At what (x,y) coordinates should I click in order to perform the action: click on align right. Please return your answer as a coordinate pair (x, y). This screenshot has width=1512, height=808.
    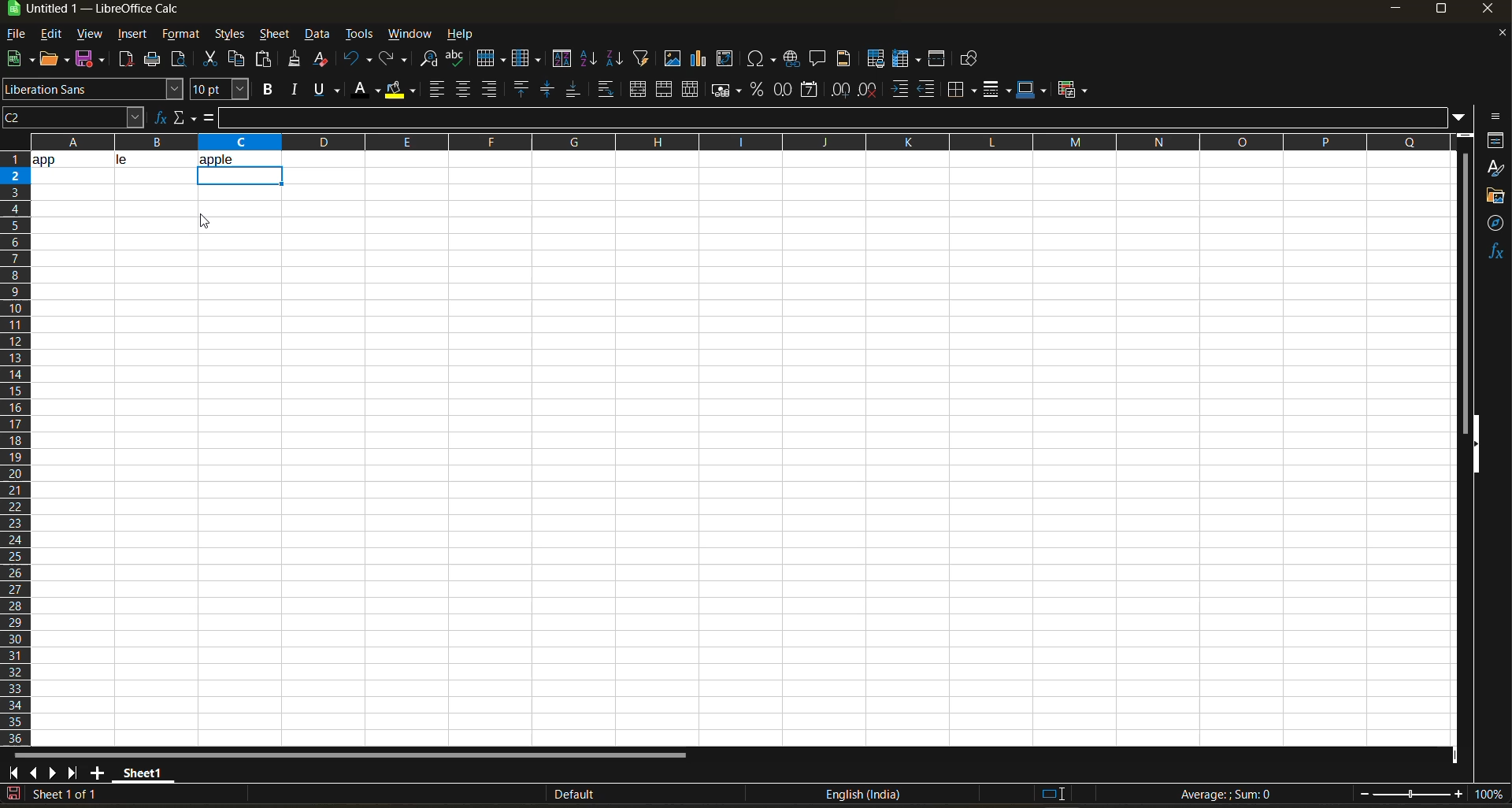
    Looking at the image, I should click on (491, 90).